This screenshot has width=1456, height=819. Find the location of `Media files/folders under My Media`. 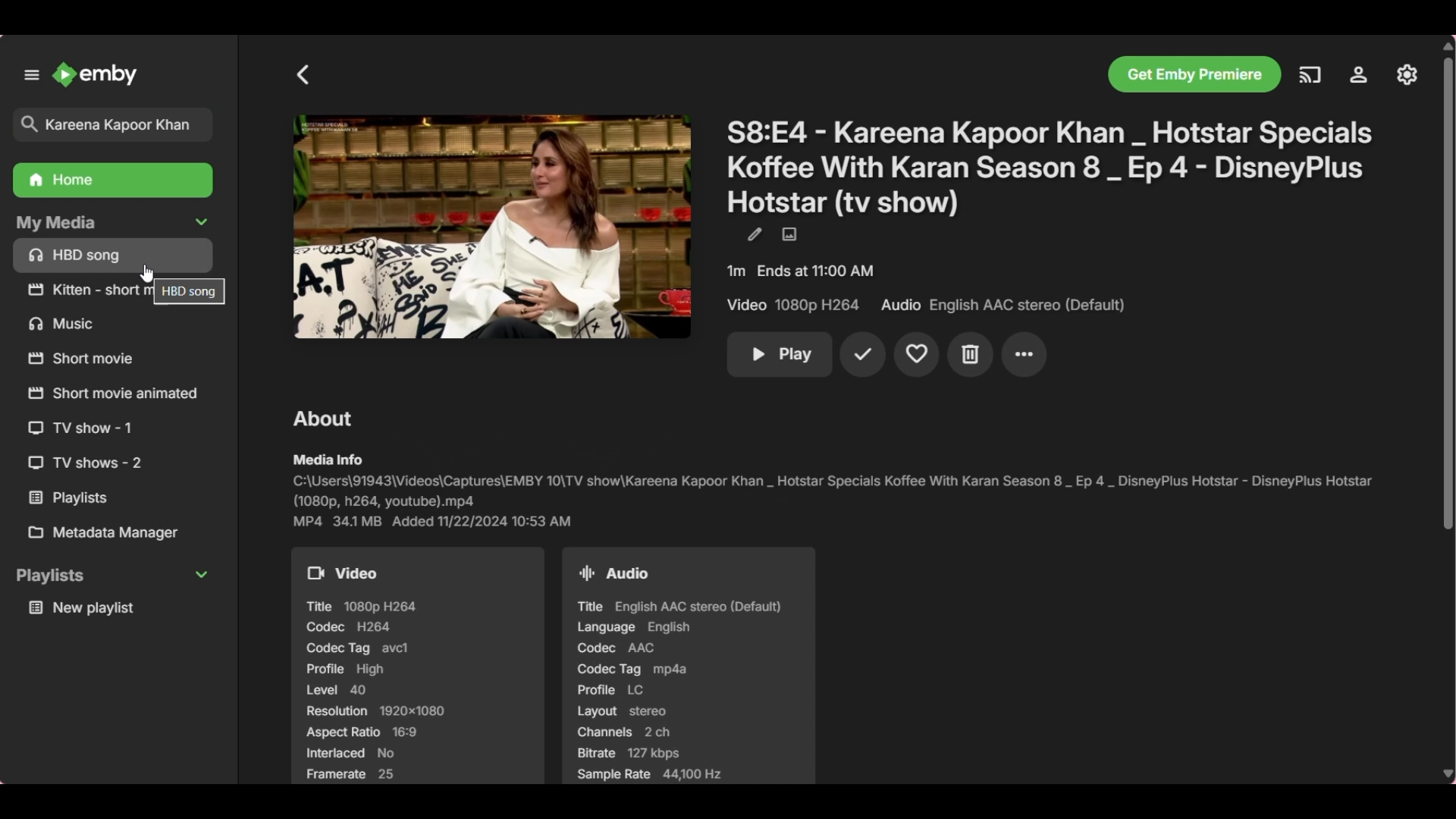

Media files/folders under My Media is located at coordinates (114, 257).